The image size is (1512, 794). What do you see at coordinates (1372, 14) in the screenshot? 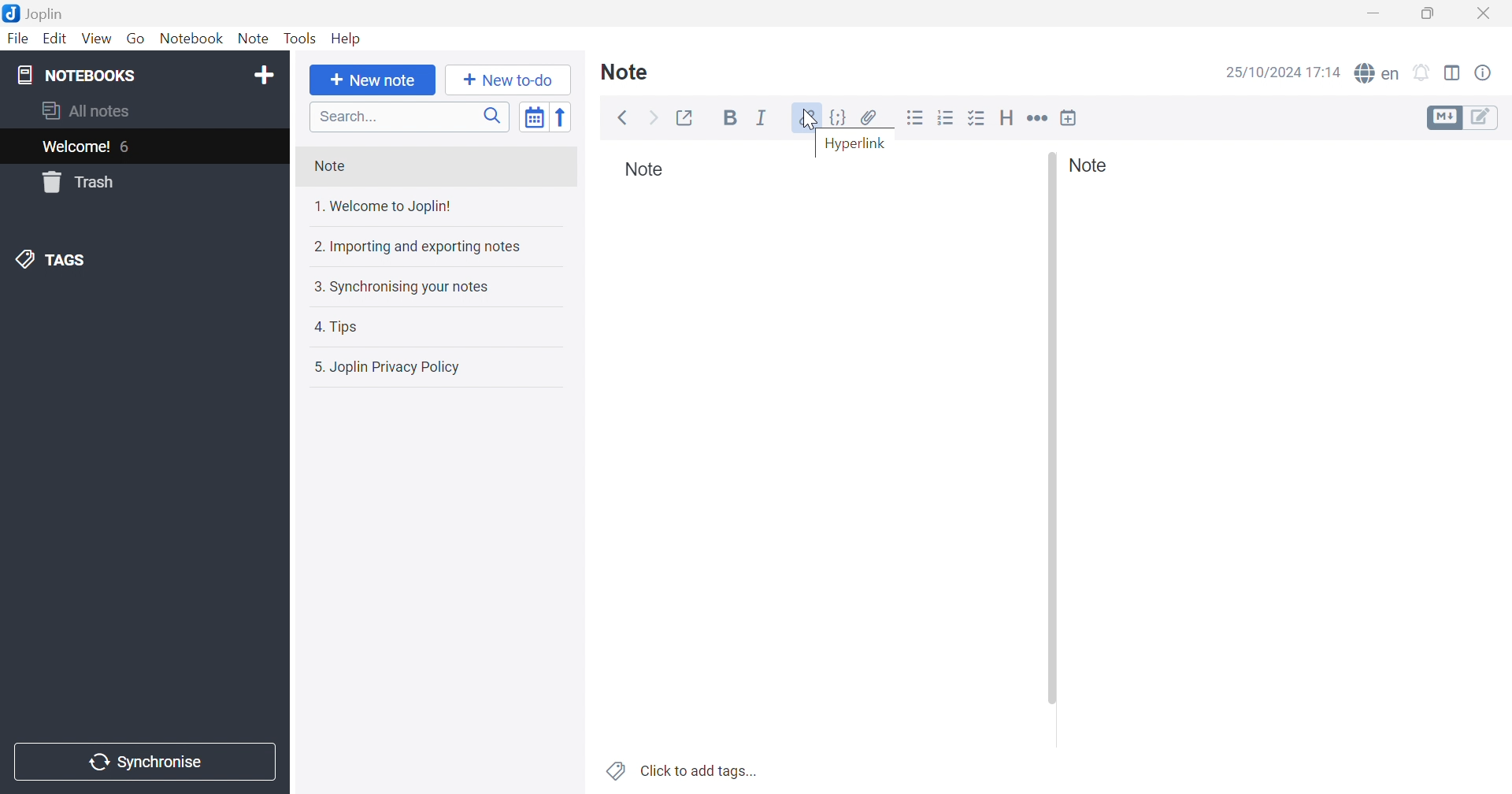
I see `Minimize` at bounding box center [1372, 14].